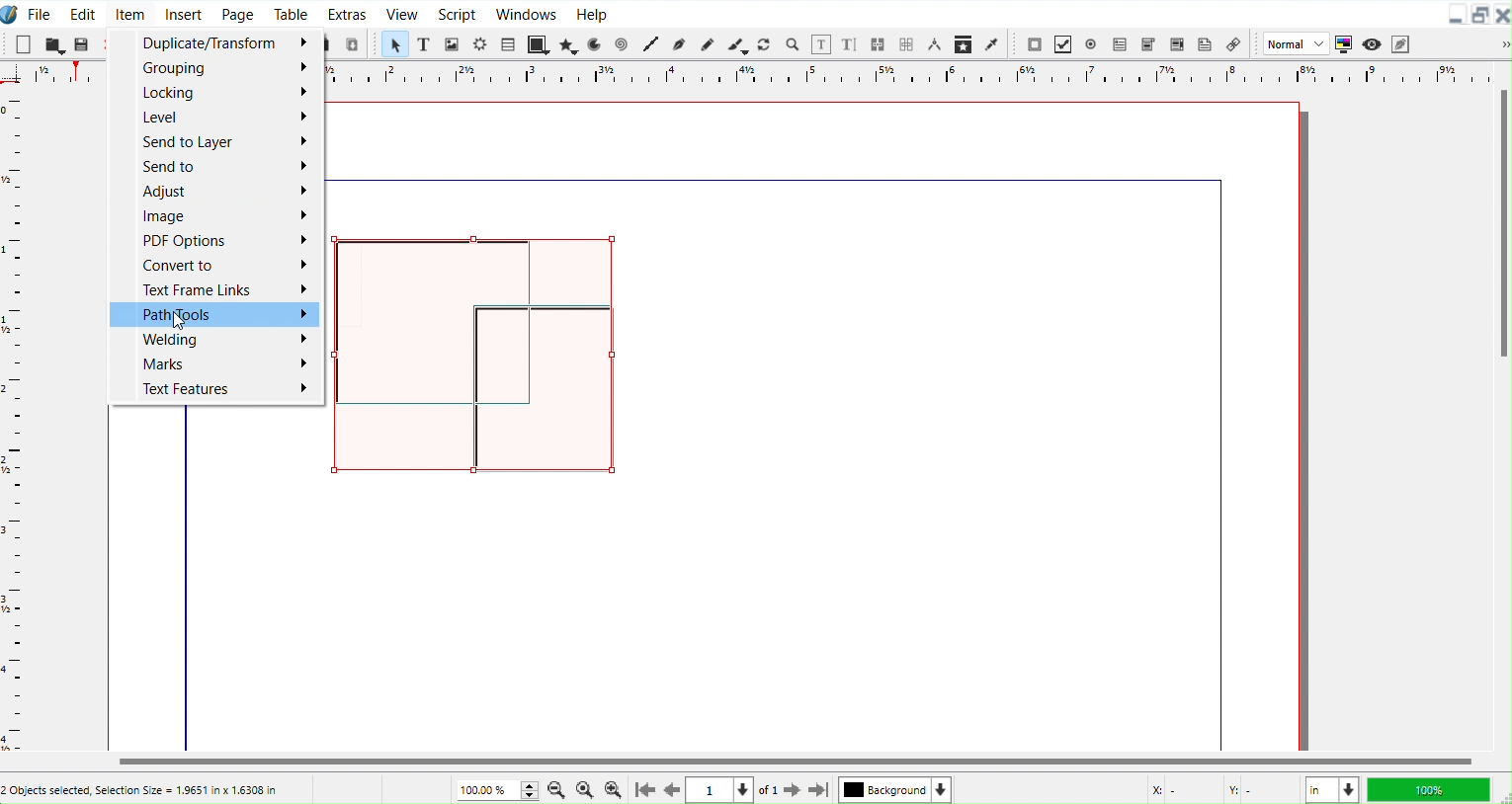 The image size is (1512, 804). I want to click on PDF Radio Button, so click(1091, 43).